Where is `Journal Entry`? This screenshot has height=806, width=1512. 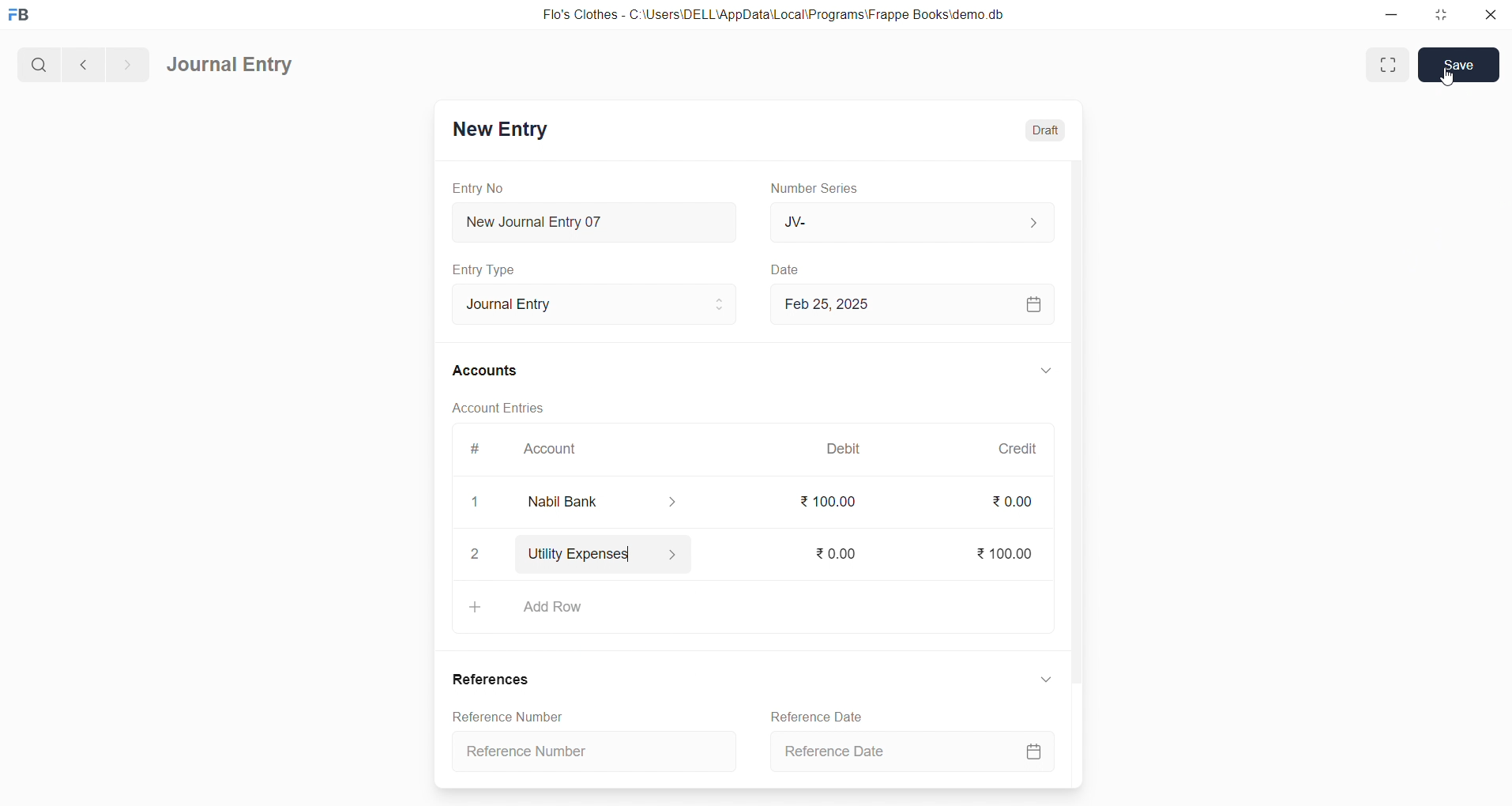
Journal Entry is located at coordinates (231, 66).